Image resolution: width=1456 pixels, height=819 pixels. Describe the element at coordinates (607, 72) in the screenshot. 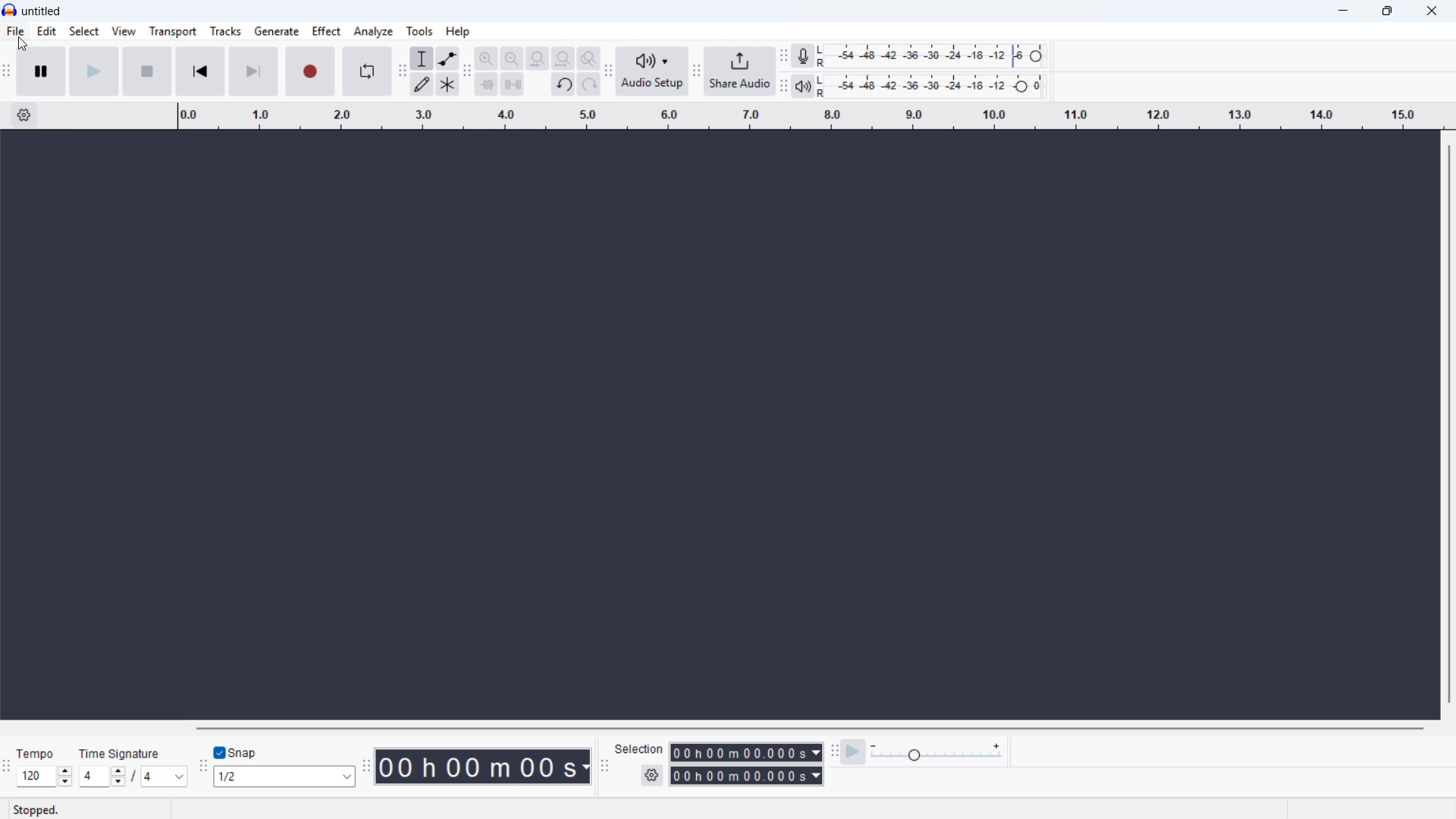

I see `Audio setup toolbar ` at that location.